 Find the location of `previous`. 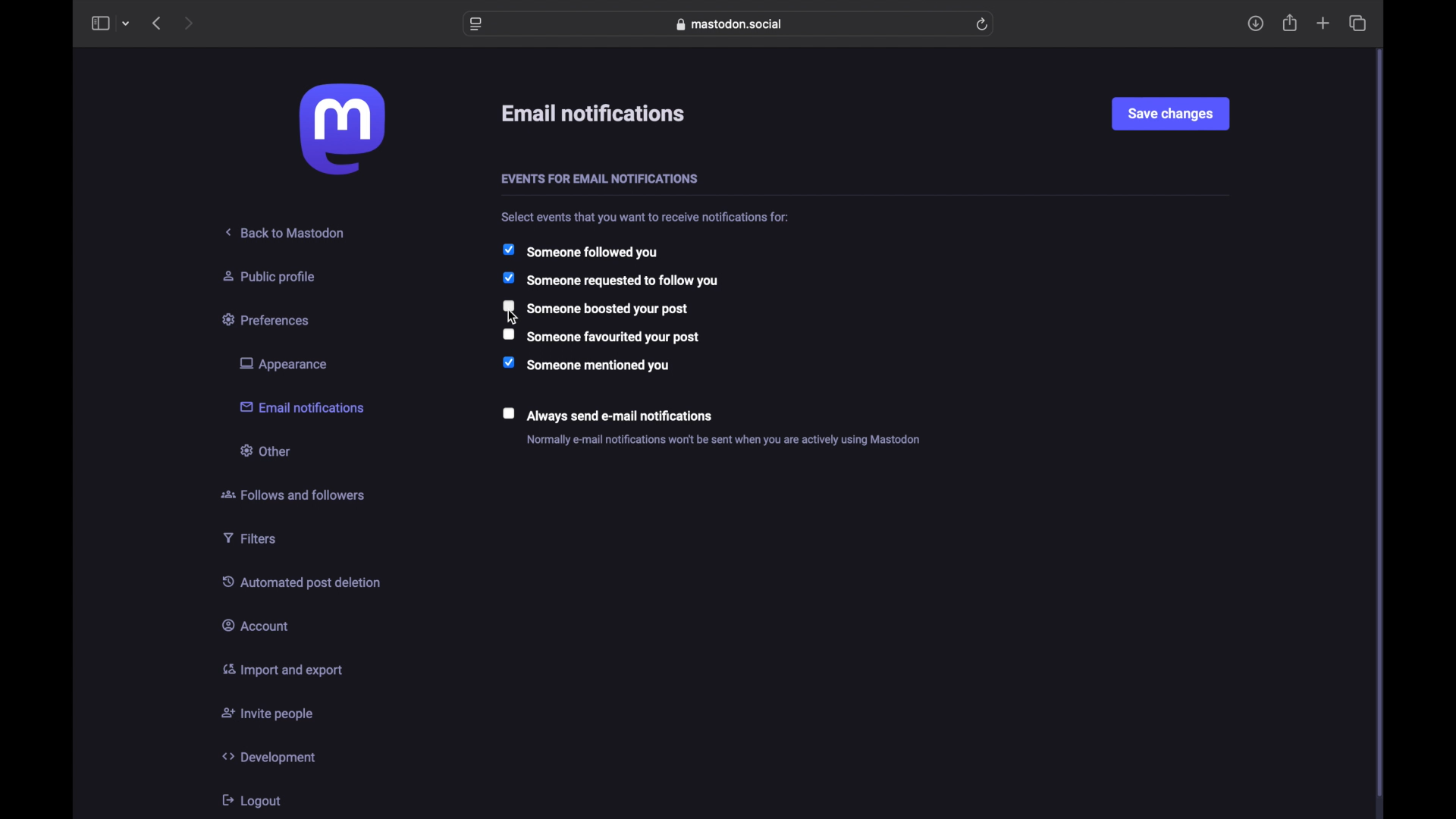

previous is located at coordinates (156, 23).